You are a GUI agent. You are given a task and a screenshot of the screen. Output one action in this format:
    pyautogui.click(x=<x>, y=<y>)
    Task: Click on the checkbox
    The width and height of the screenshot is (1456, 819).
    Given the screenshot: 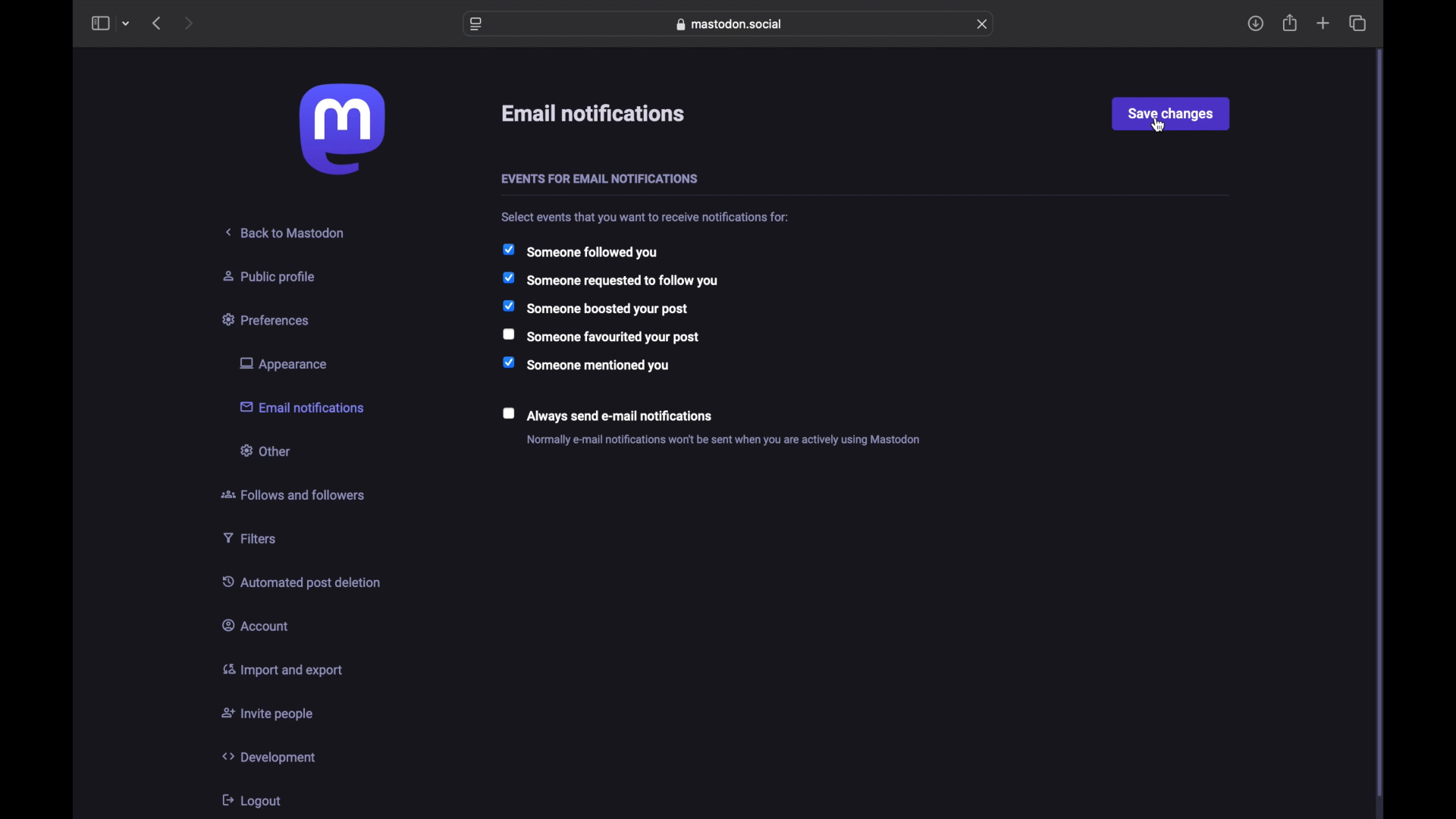 What is the action you would take?
    pyautogui.click(x=610, y=280)
    